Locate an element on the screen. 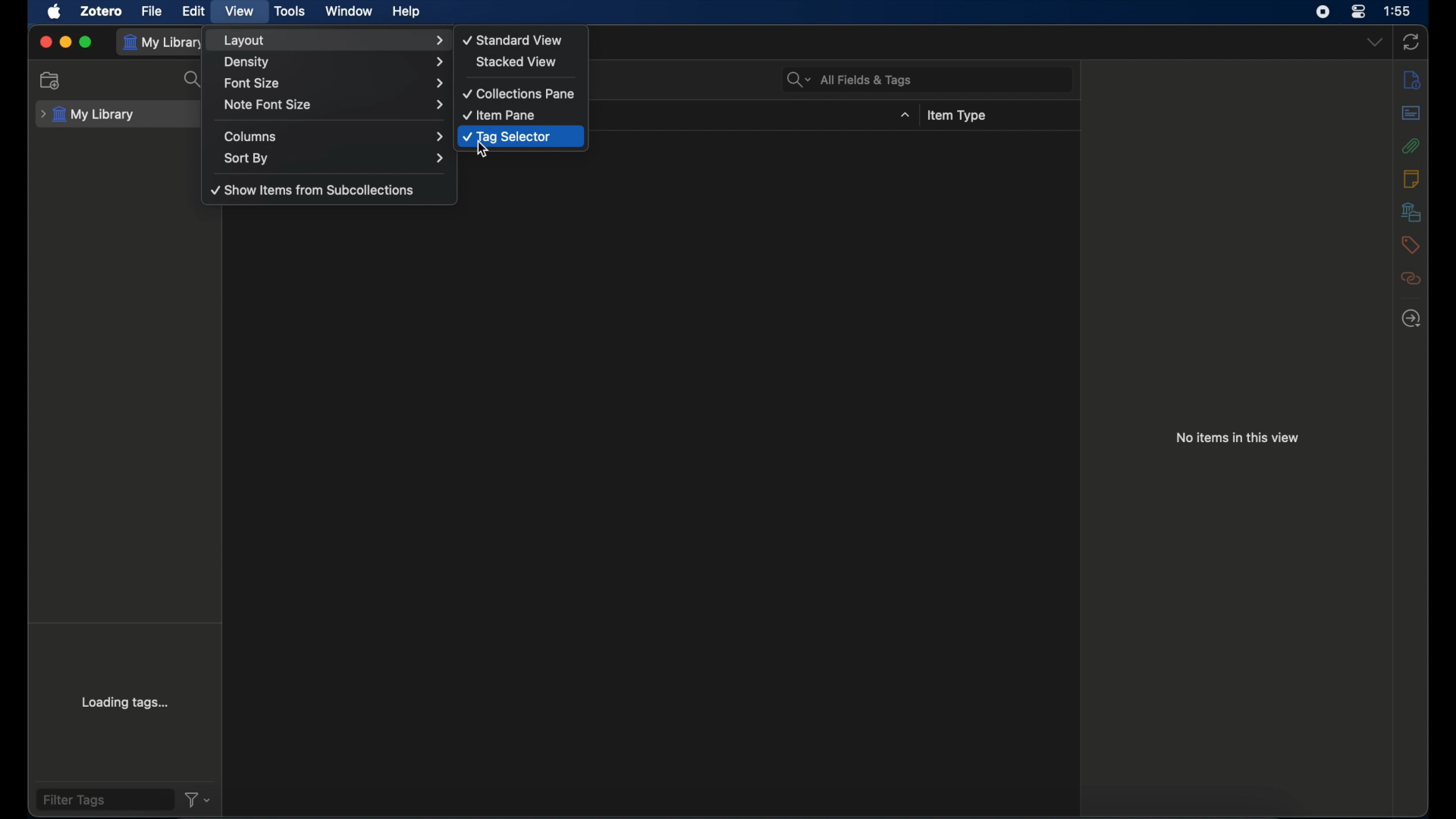 The height and width of the screenshot is (819, 1456). attachments is located at coordinates (1411, 146).